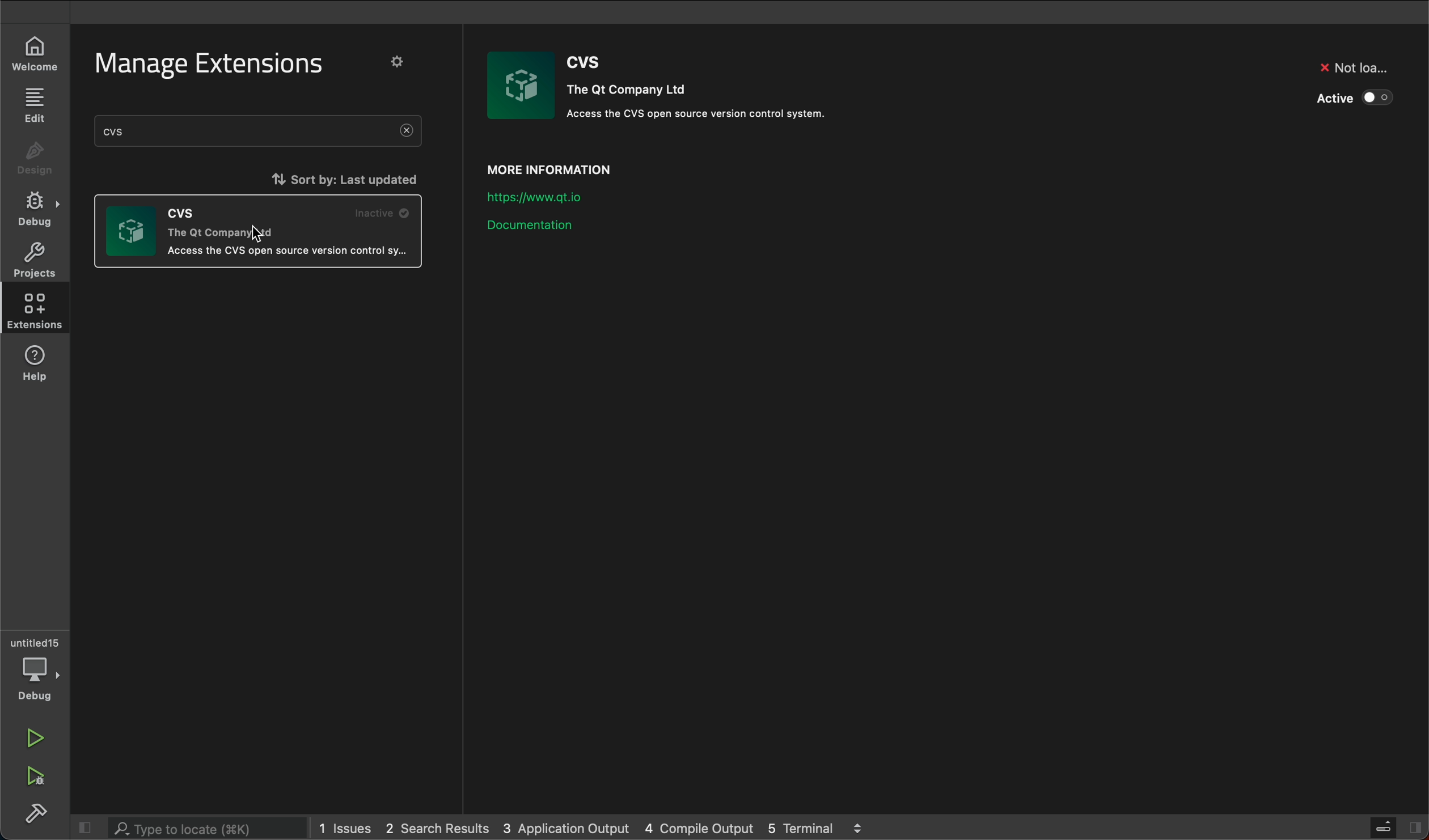 The image size is (1429, 840). I want to click on debuger, so click(37, 668).